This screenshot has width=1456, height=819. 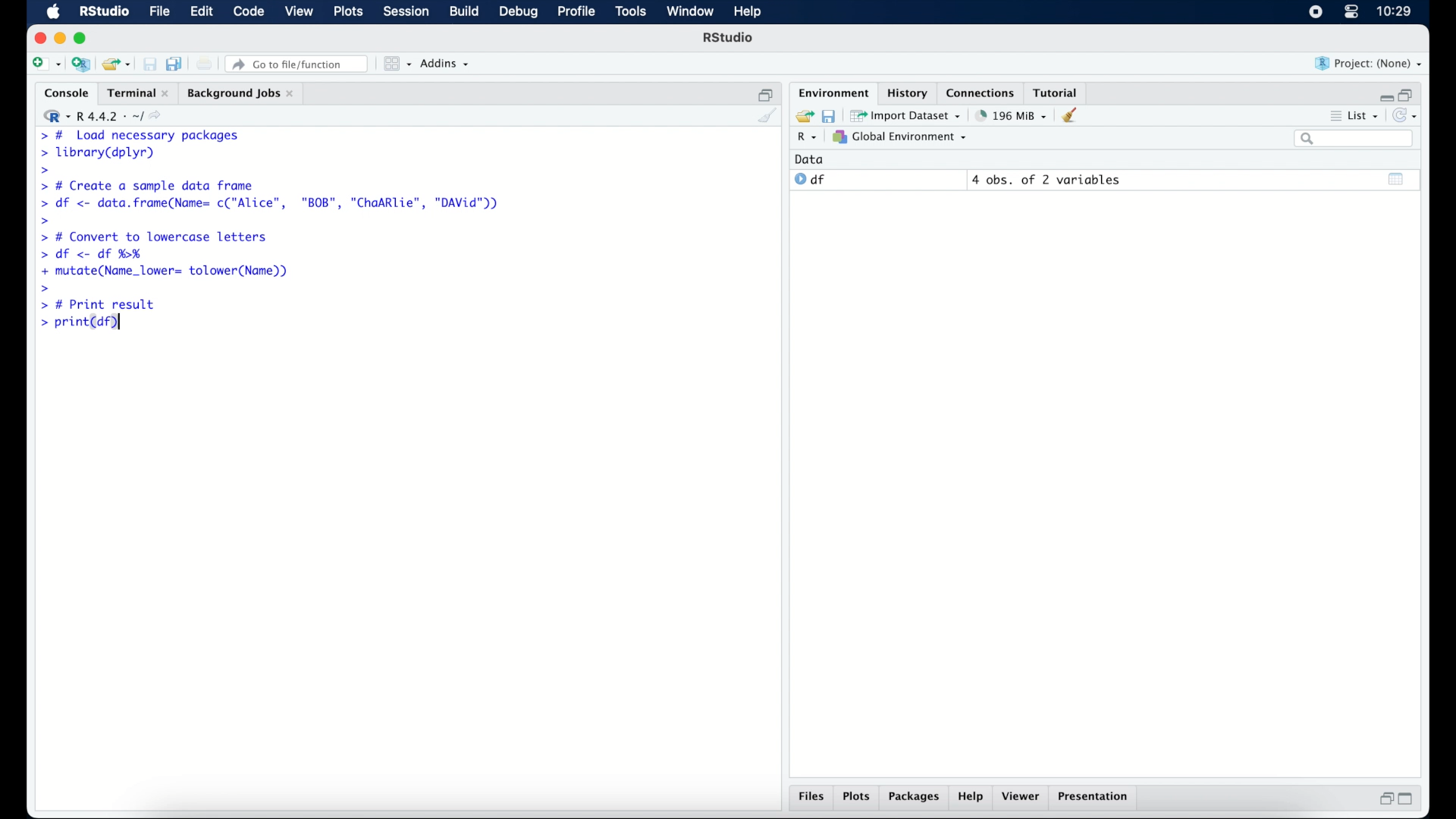 I want to click on global environment, so click(x=900, y=137).